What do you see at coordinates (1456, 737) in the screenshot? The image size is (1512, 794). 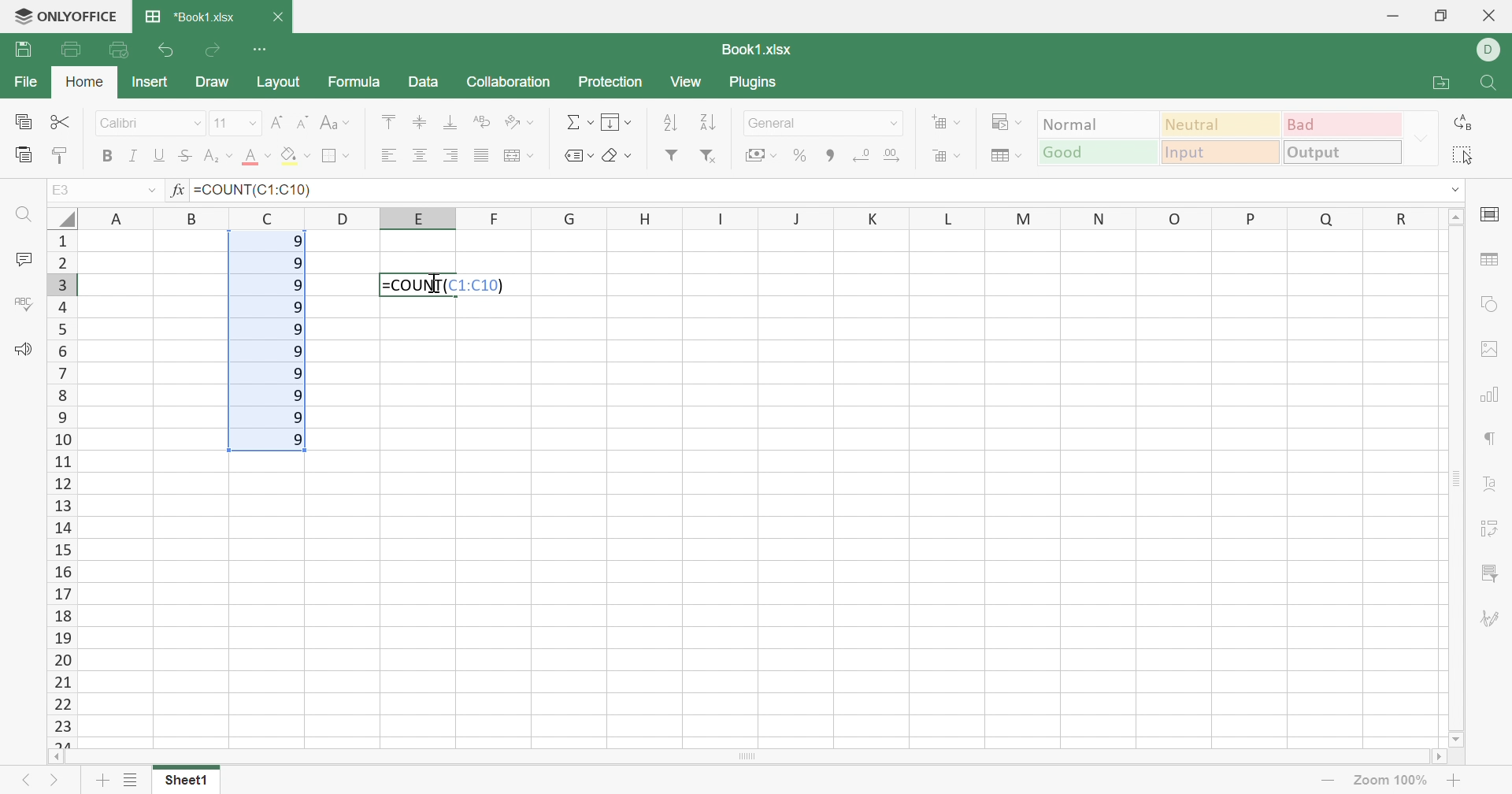 I see `Scroll Down` at bounding box center [1456, 737].